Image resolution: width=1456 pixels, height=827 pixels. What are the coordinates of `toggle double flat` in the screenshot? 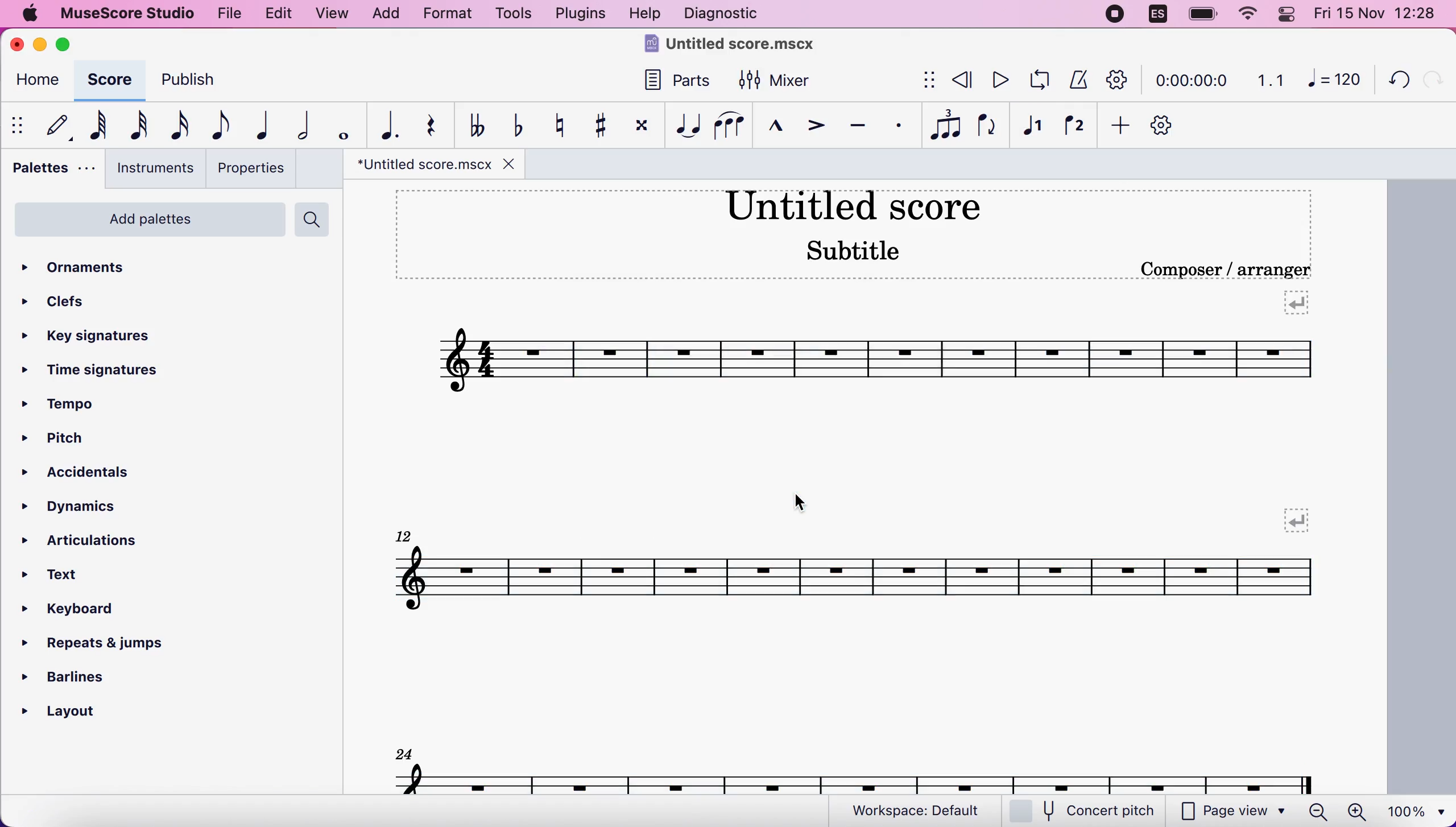 It's located at (476, 124).